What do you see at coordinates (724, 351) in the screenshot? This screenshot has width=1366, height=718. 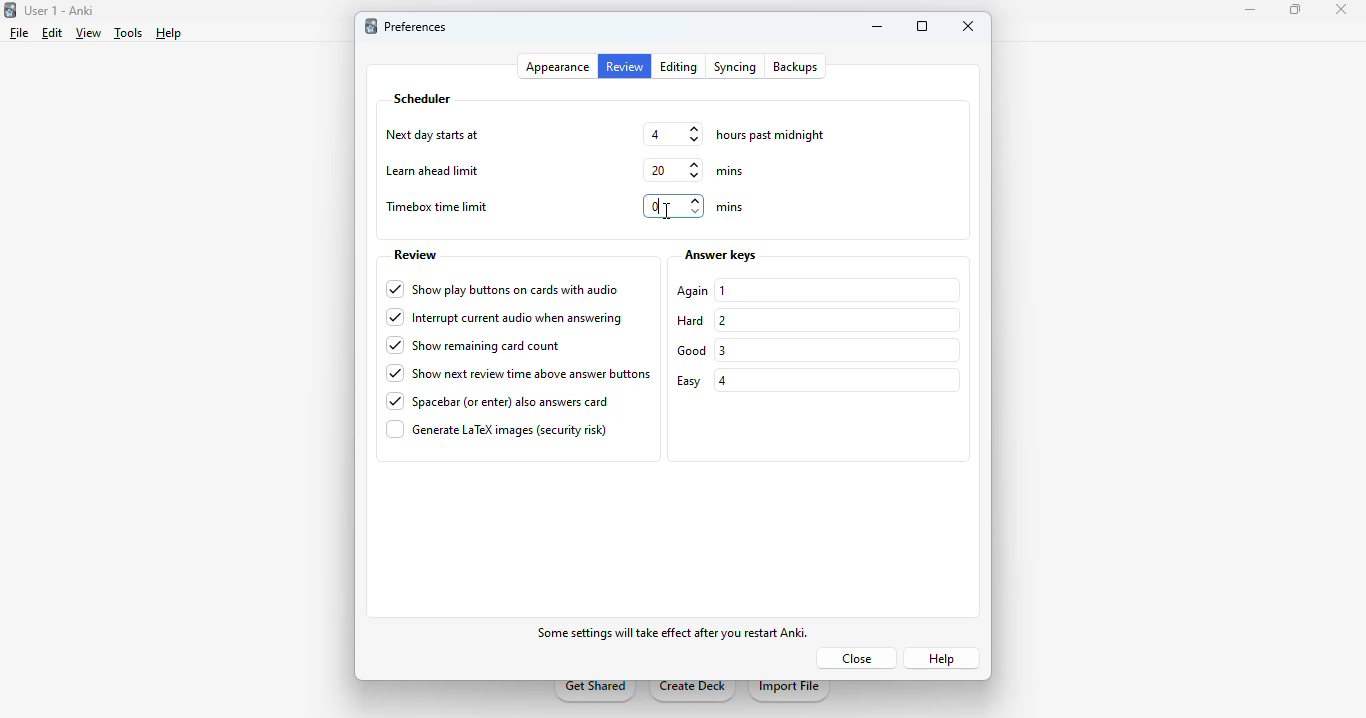 I see `3` at bounding box center [724, 351].